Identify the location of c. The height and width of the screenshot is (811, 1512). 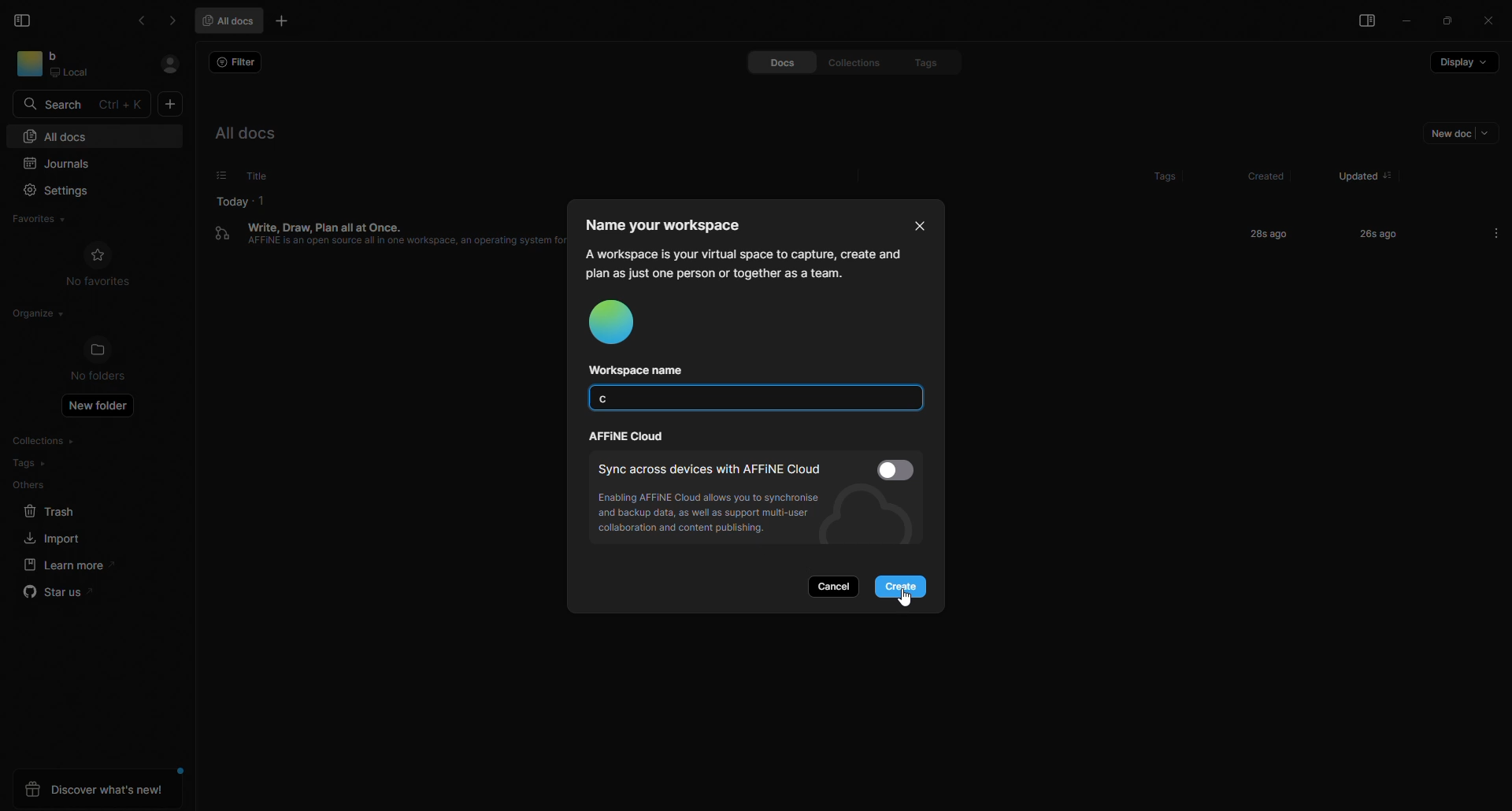
(607, 401).